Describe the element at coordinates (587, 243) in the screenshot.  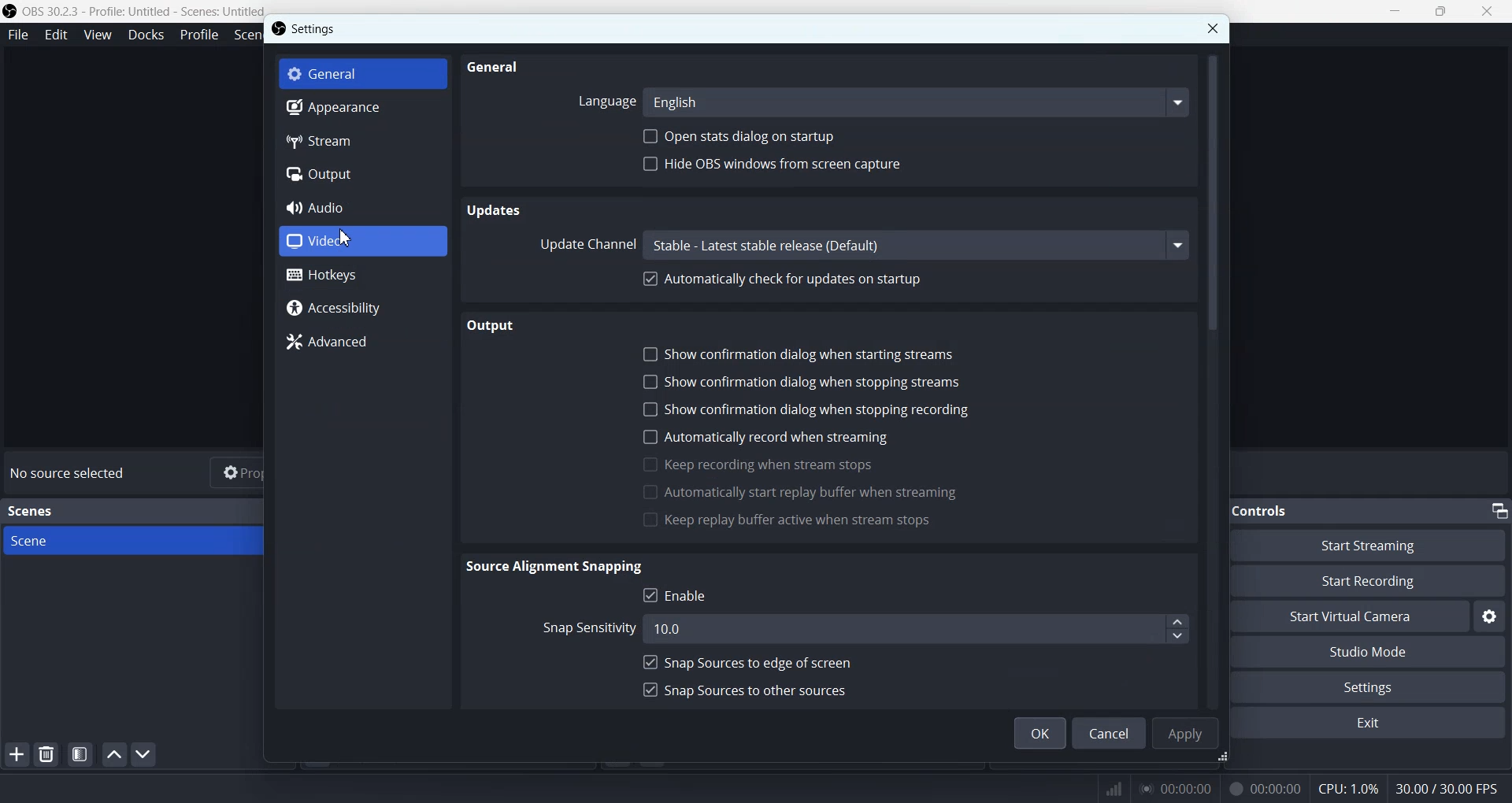
I see `Update Channel` at that location.